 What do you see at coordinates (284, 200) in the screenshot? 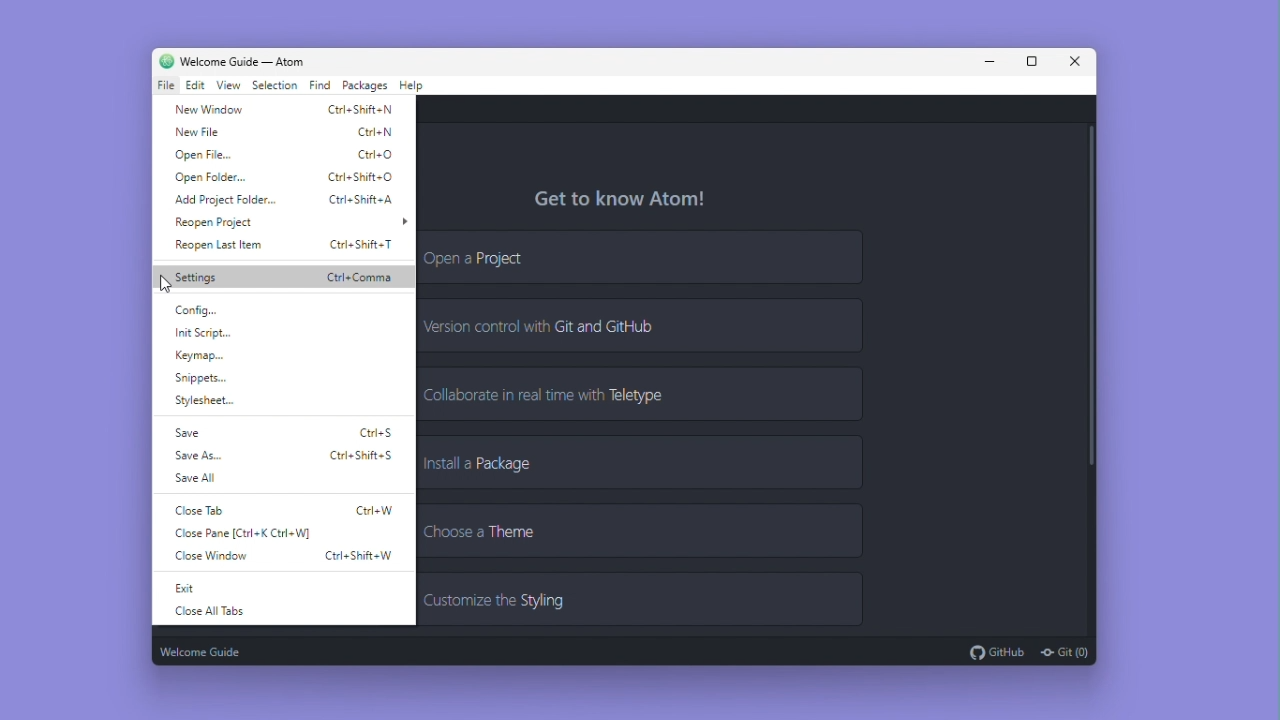
I see `Add project folder Ctrl+Shift+A` at bounding box center [284, 200].